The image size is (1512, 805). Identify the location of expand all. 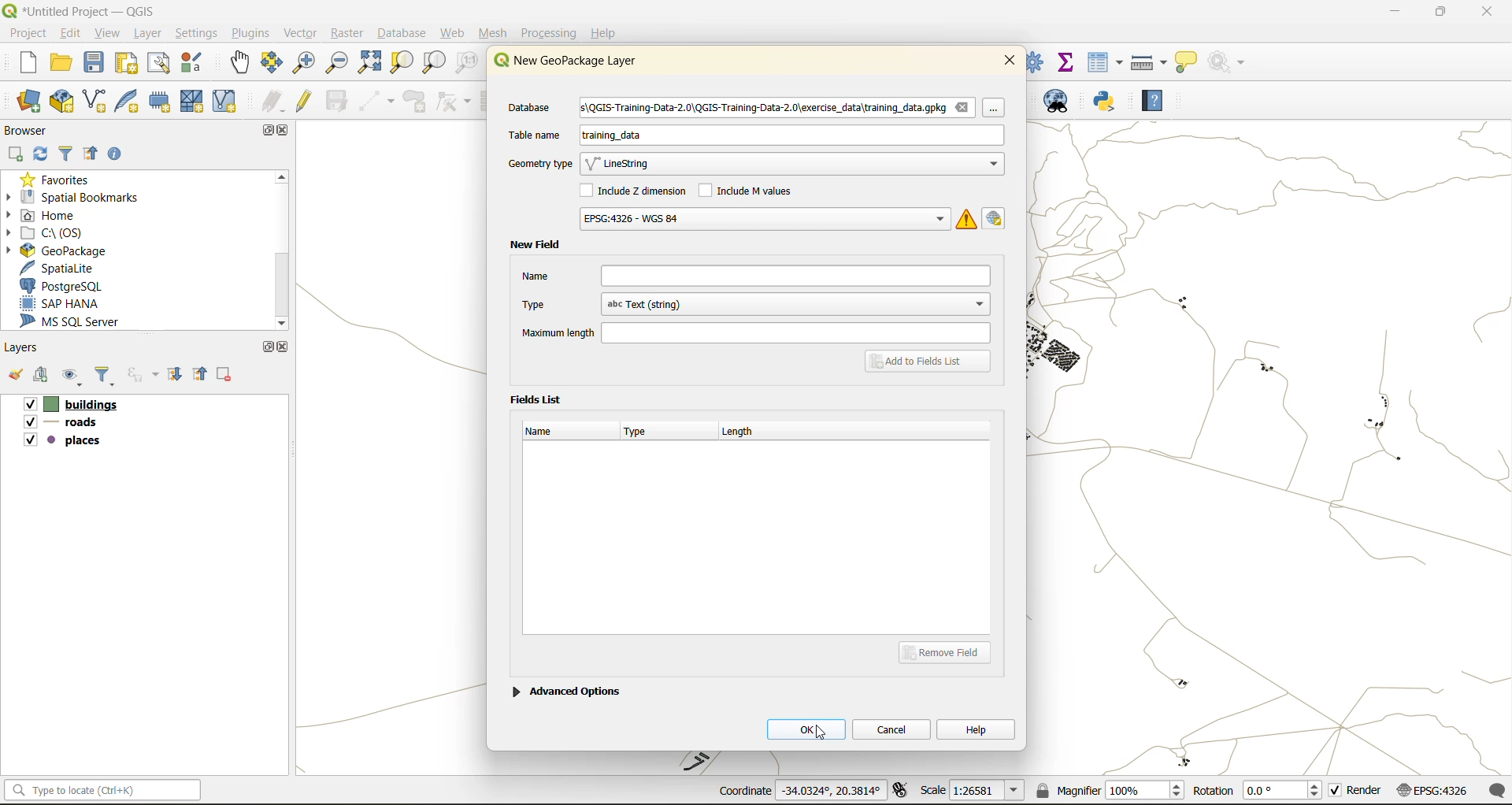
(177, 375).